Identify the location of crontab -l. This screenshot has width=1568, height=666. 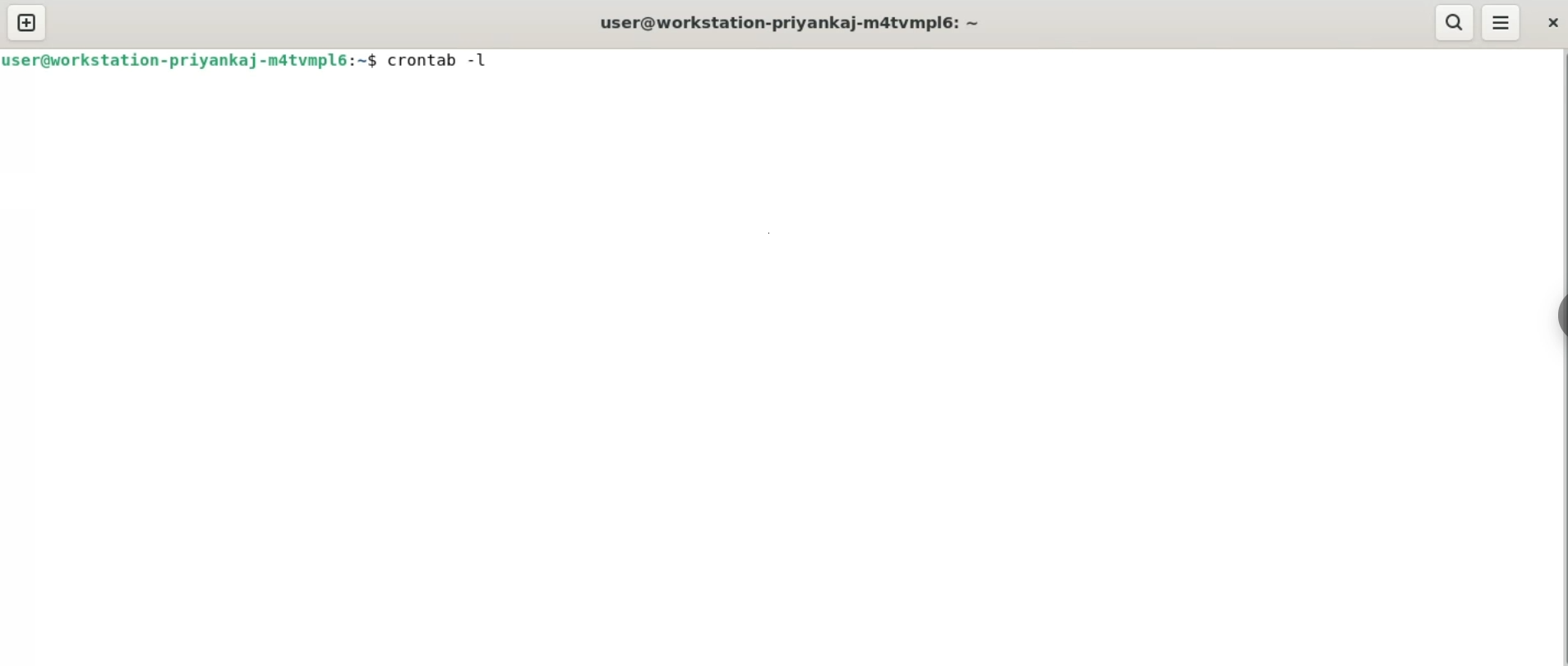
(450, 60).